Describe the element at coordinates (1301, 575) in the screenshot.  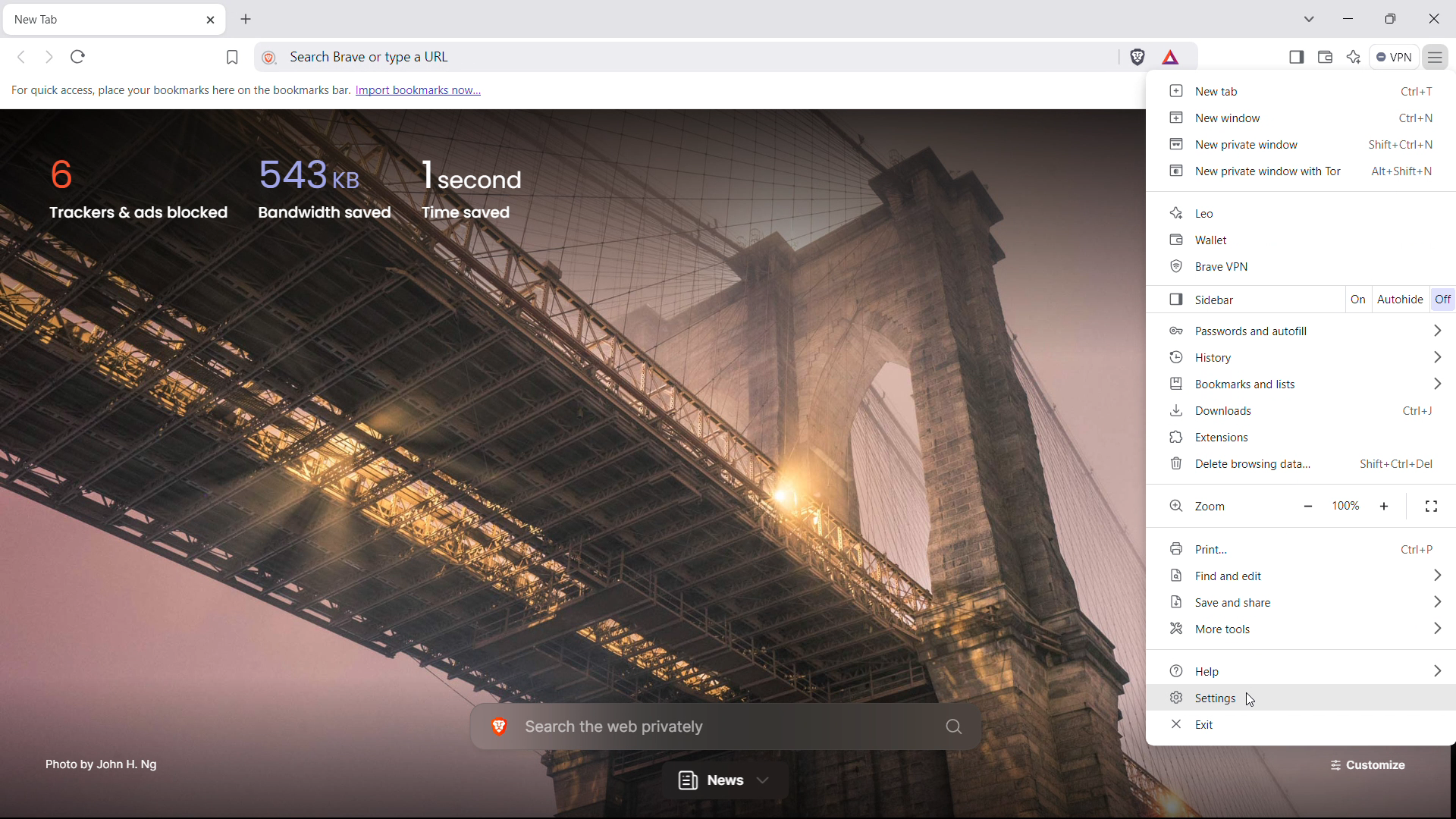
I see `find and edit` at that location.